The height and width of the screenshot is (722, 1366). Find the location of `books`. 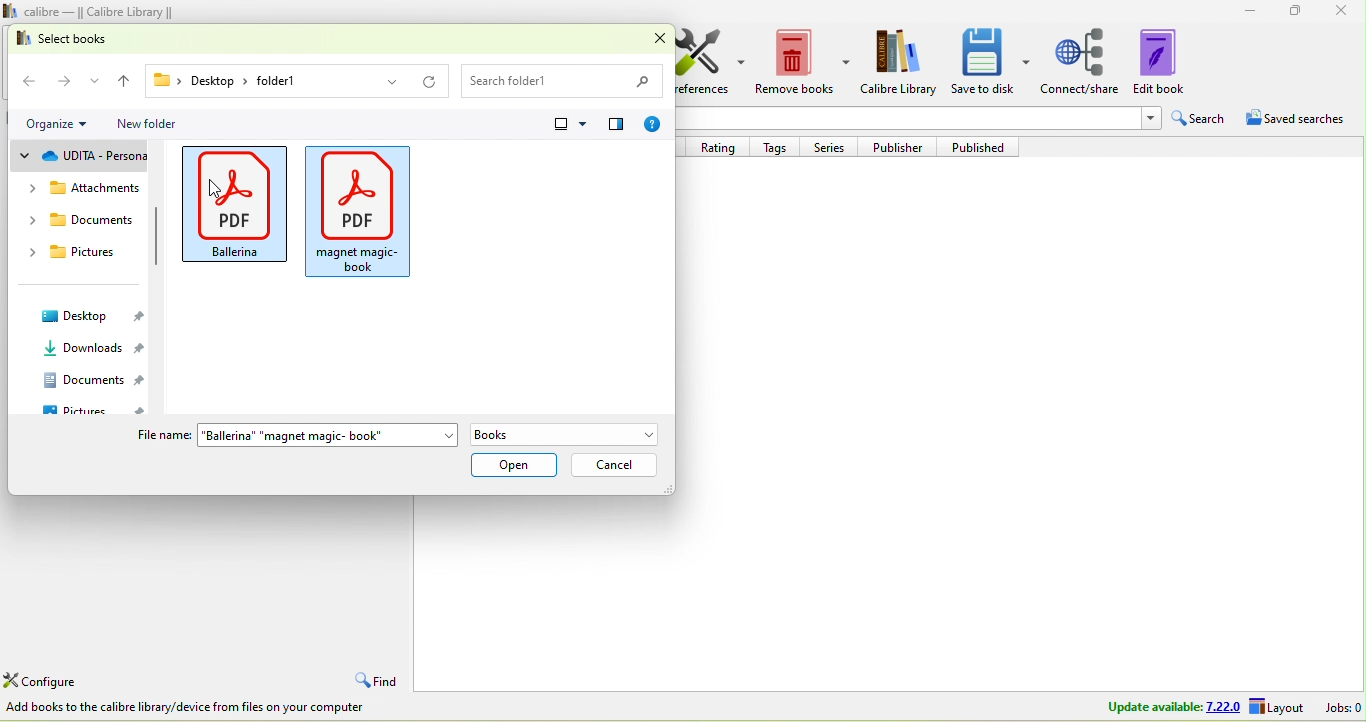

books is located at coordinates (572, 435).